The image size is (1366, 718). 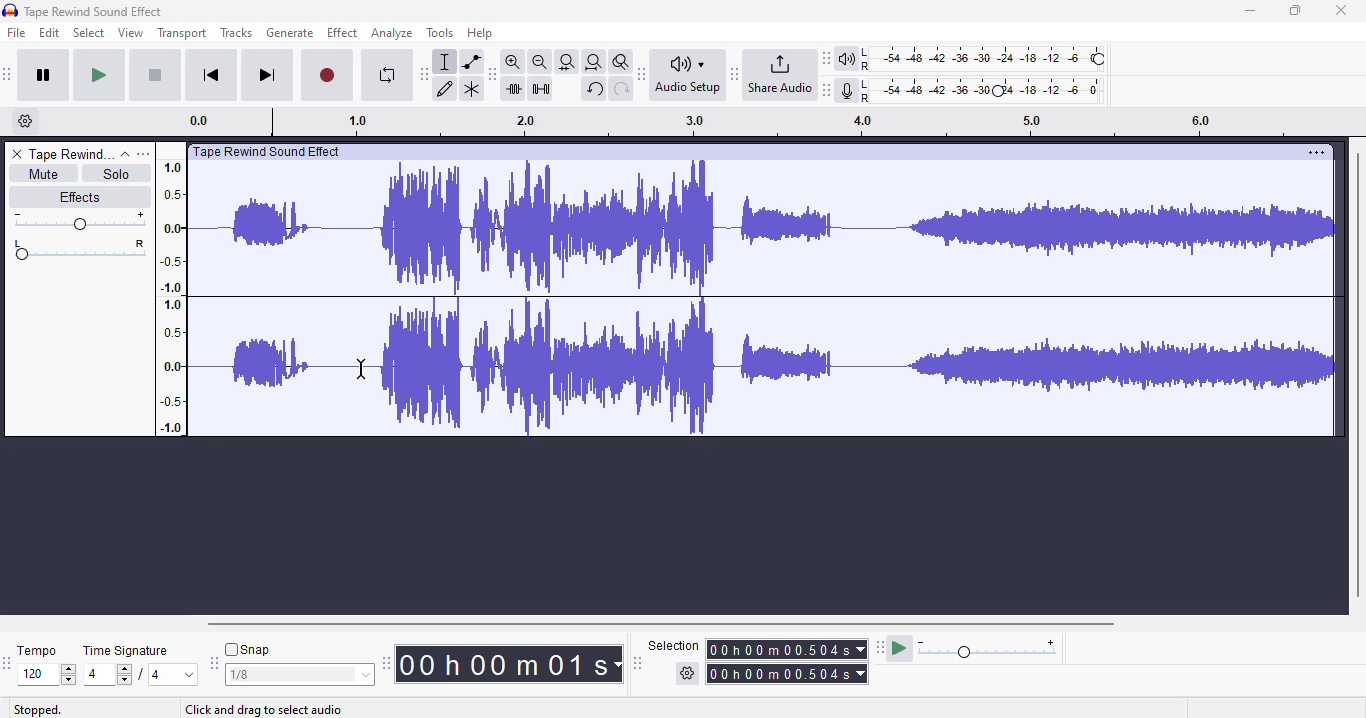 What do you see at coordinates (236, 32) in the screenshot?
I see `tracks` at bounding box center [236, 32].